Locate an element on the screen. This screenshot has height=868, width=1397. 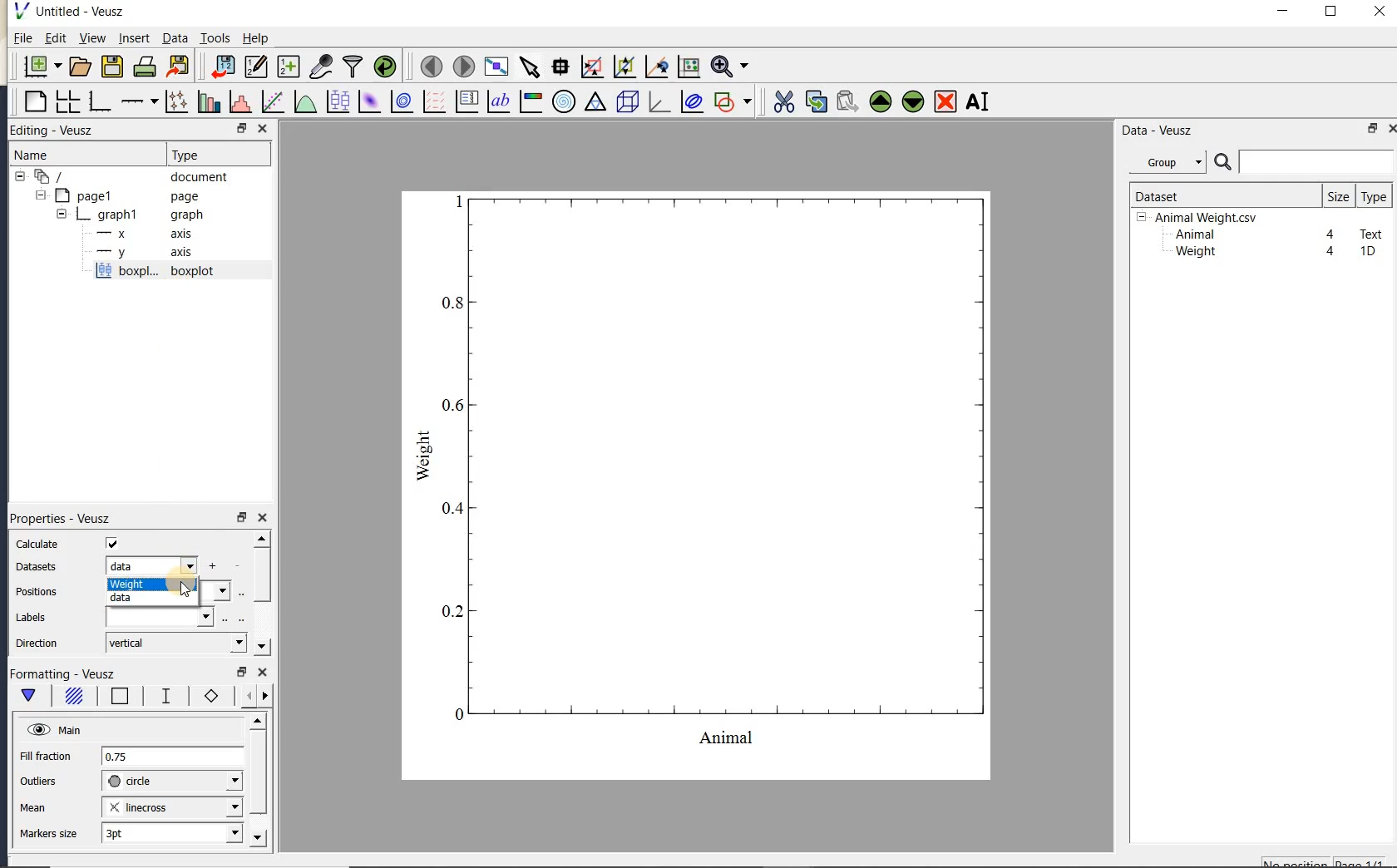
axis is located at coordinates (141, 253).